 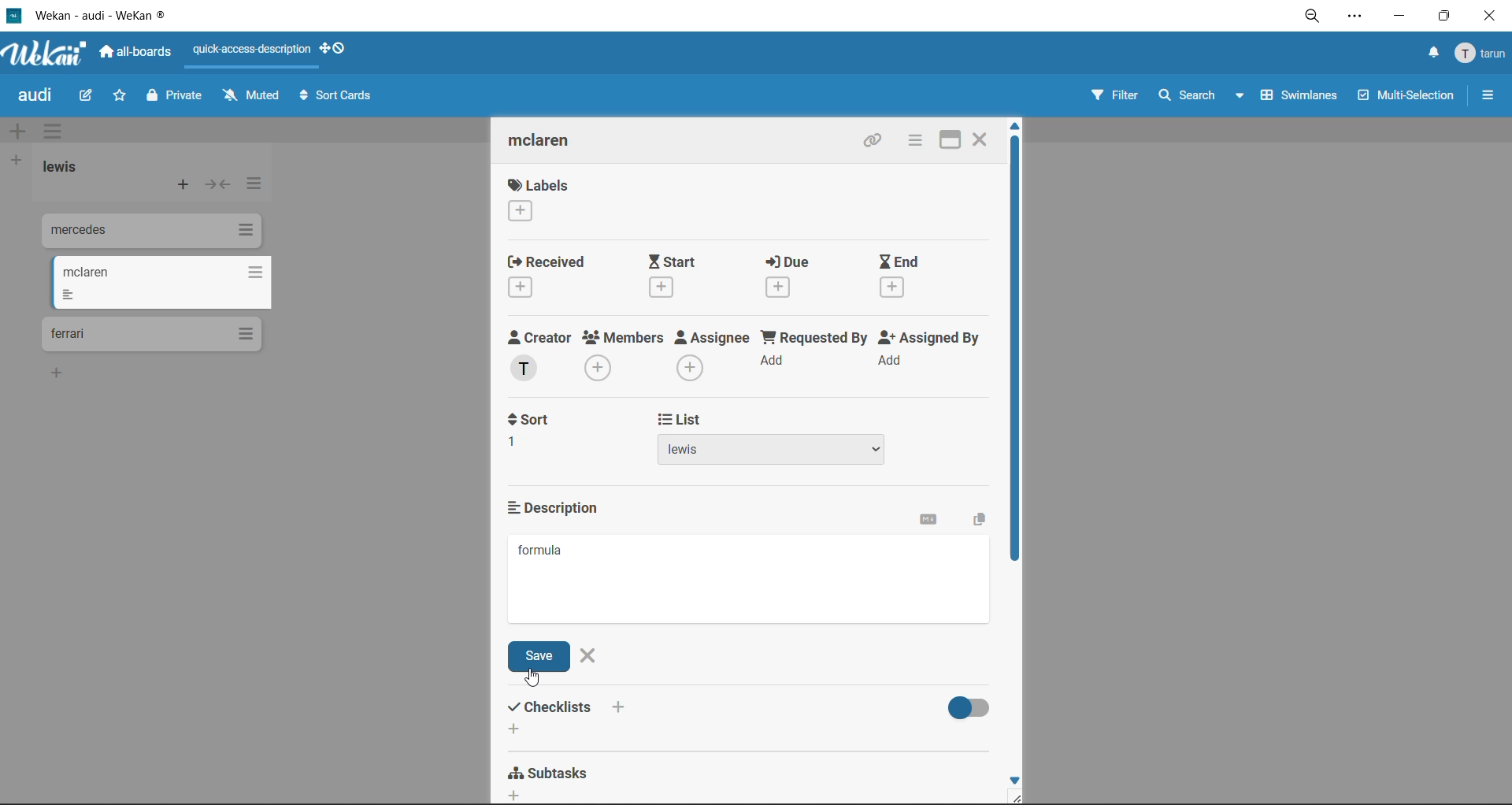 What do you see at coordinates (530, 678) in the screenshot?
I see `text cursor` at bounding box center [530, 678].